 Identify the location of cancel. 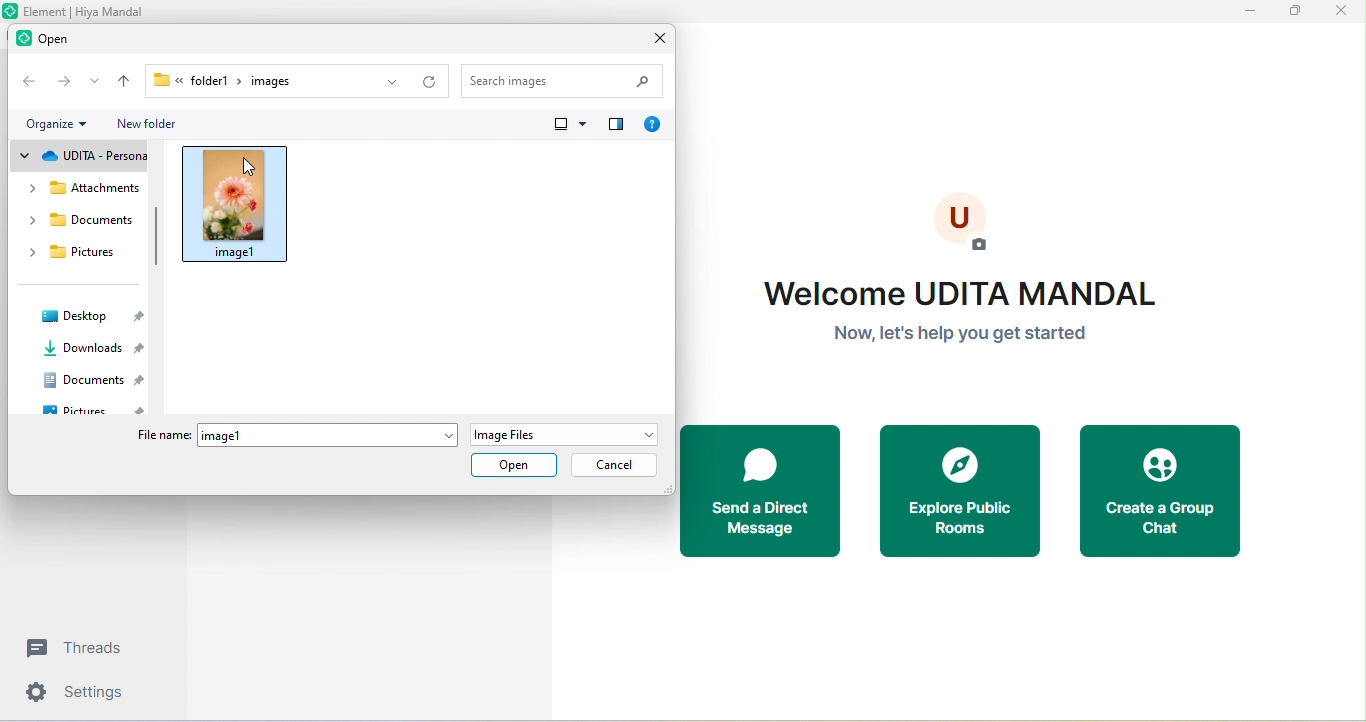
(617, 464).